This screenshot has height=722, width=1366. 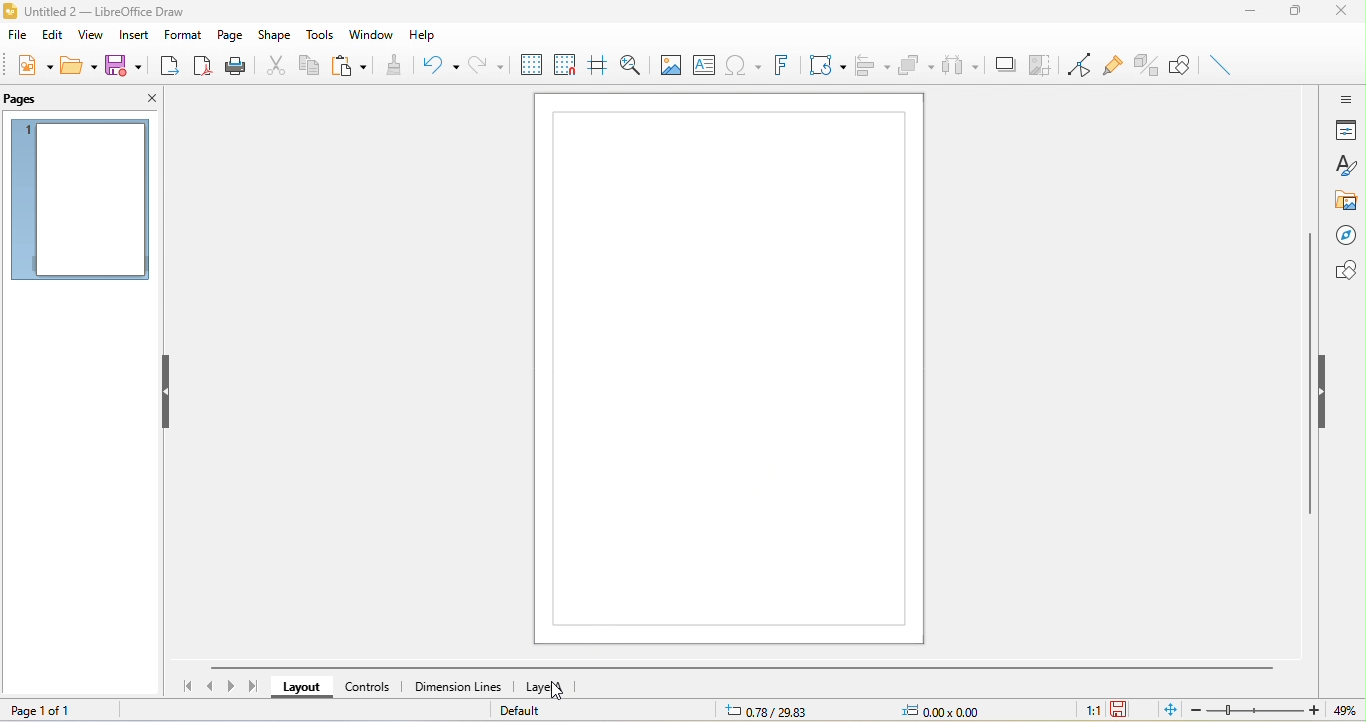 What do you see at coordinates (61, 711) in the screenshot?
I see `page 1 of 1` at bounding box center [61, 711].